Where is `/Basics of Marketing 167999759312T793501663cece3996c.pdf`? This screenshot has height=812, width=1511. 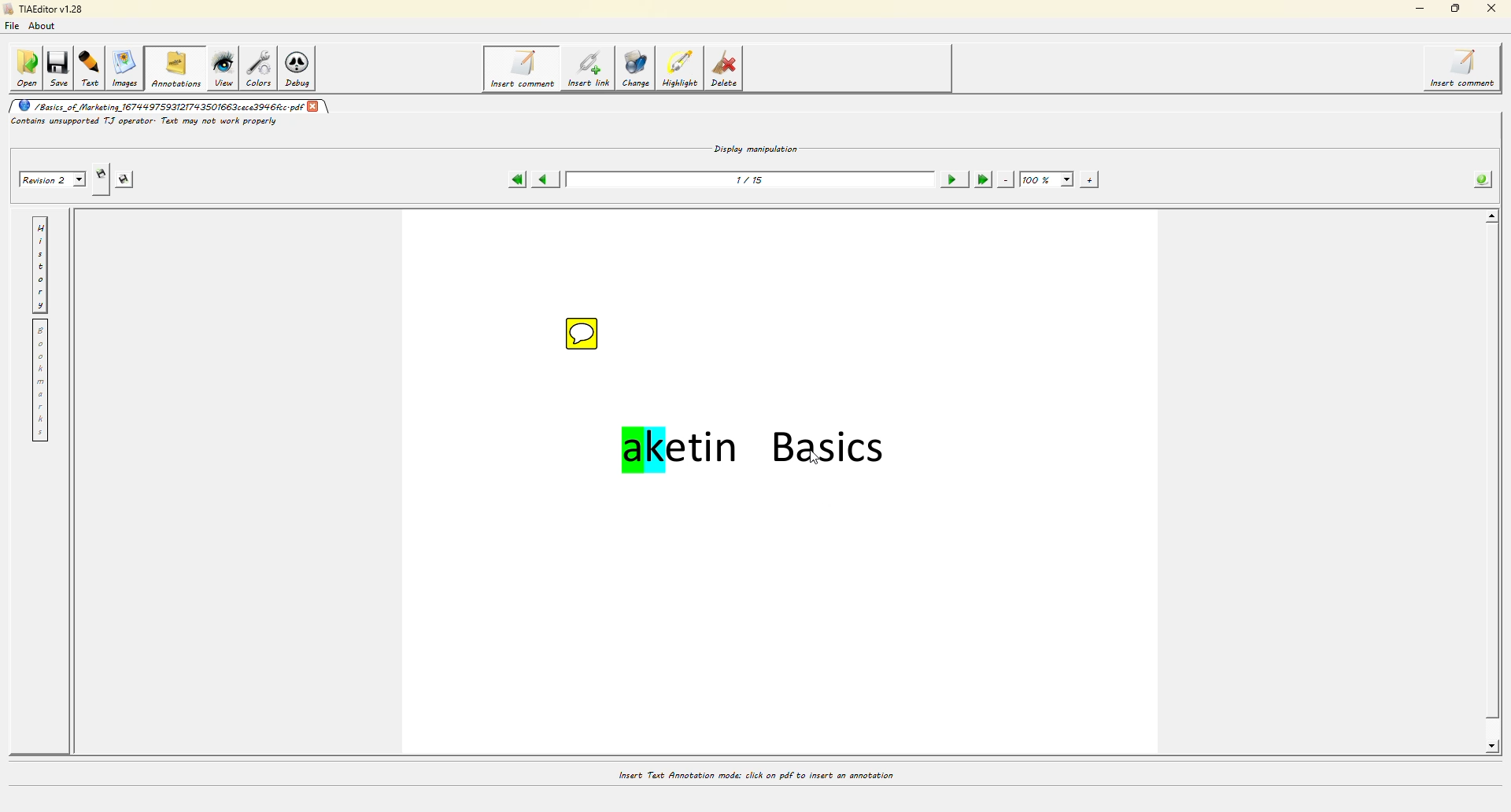
/Basics of Marketing 167999759312T793501663cece3996c.pdf is located at coordinates (158, 105).